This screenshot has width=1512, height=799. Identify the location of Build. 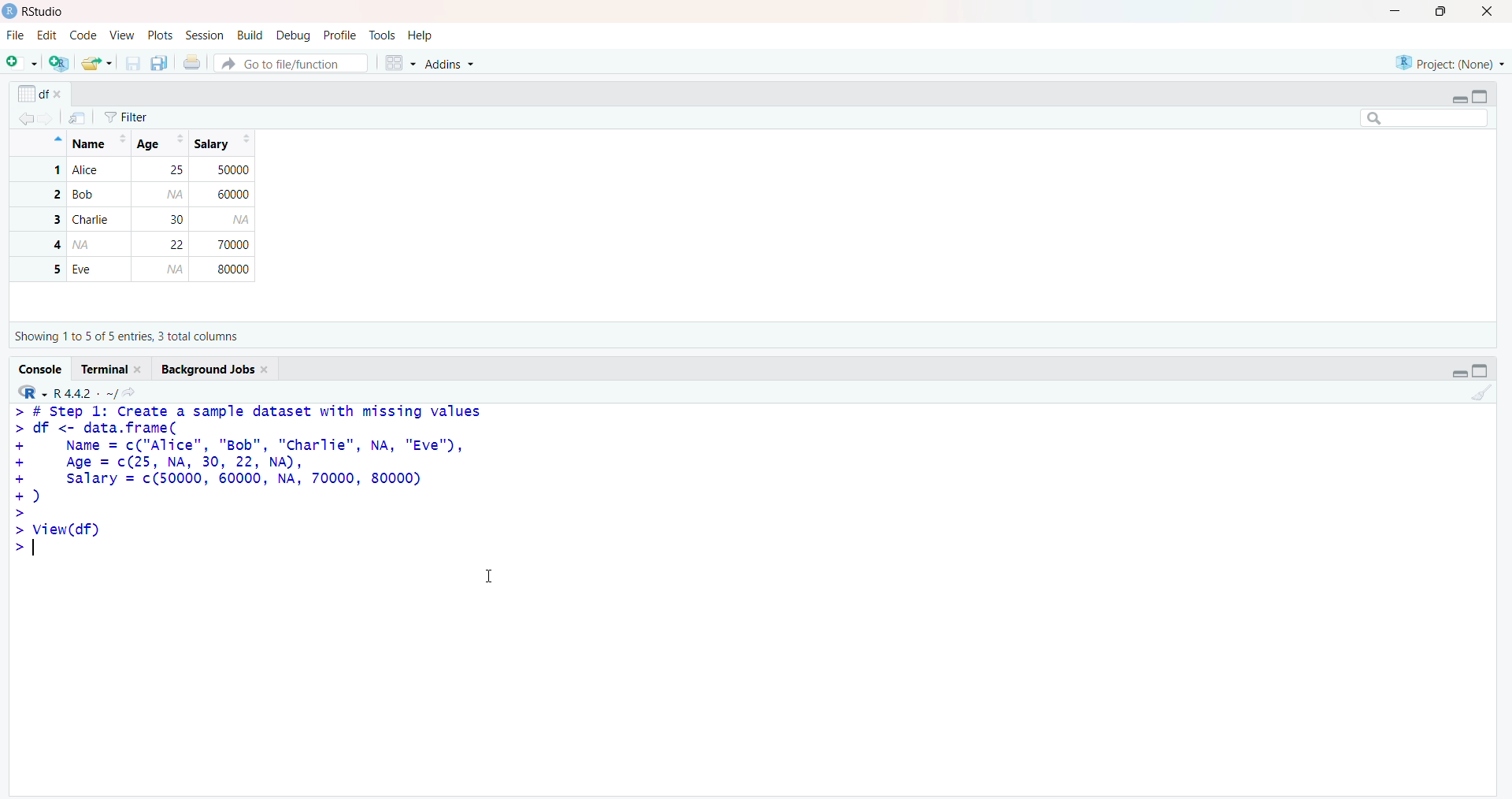
(250, 33).